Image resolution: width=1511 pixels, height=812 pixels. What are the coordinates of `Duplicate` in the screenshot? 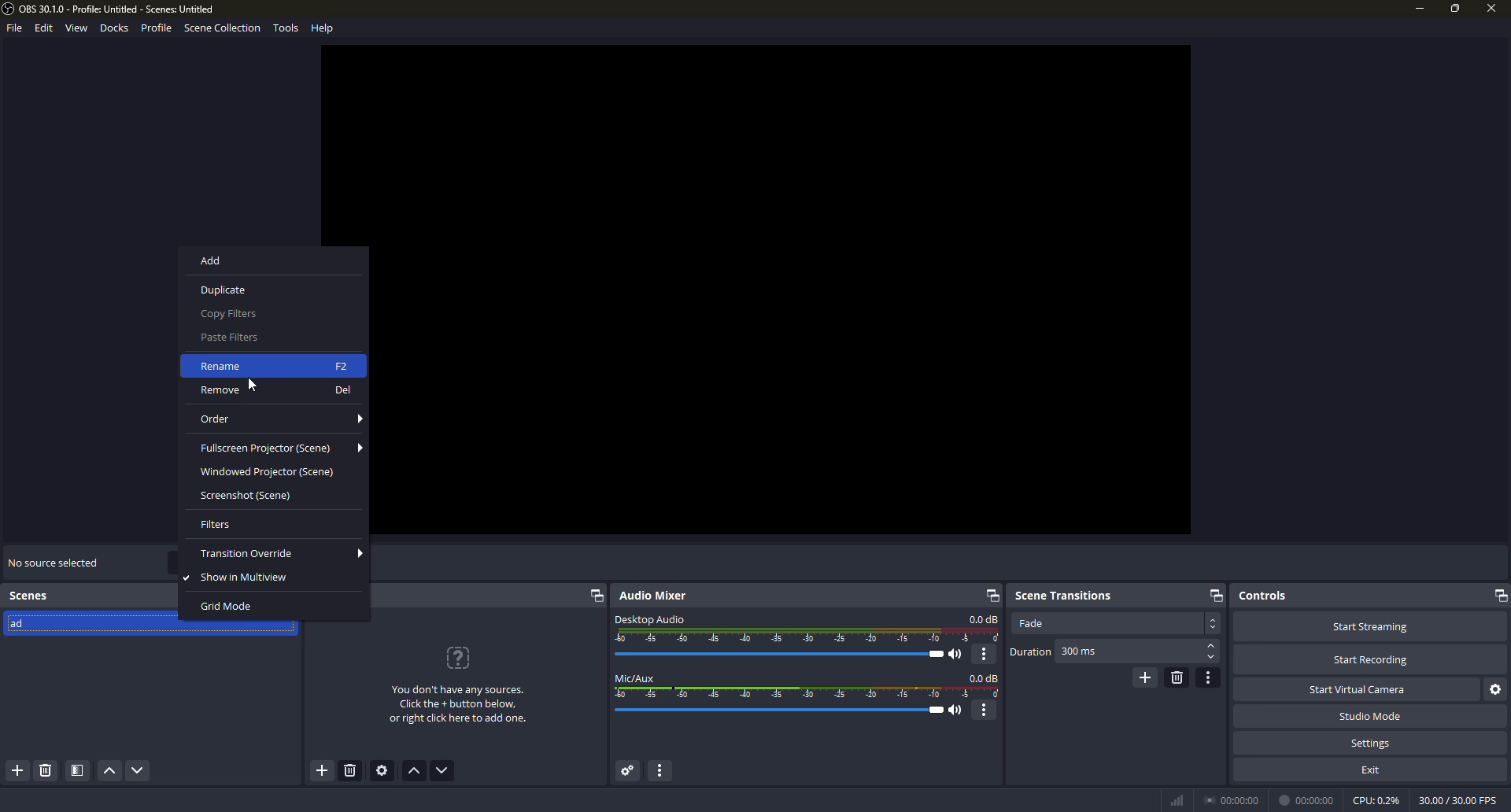 It's located at (268, 289).